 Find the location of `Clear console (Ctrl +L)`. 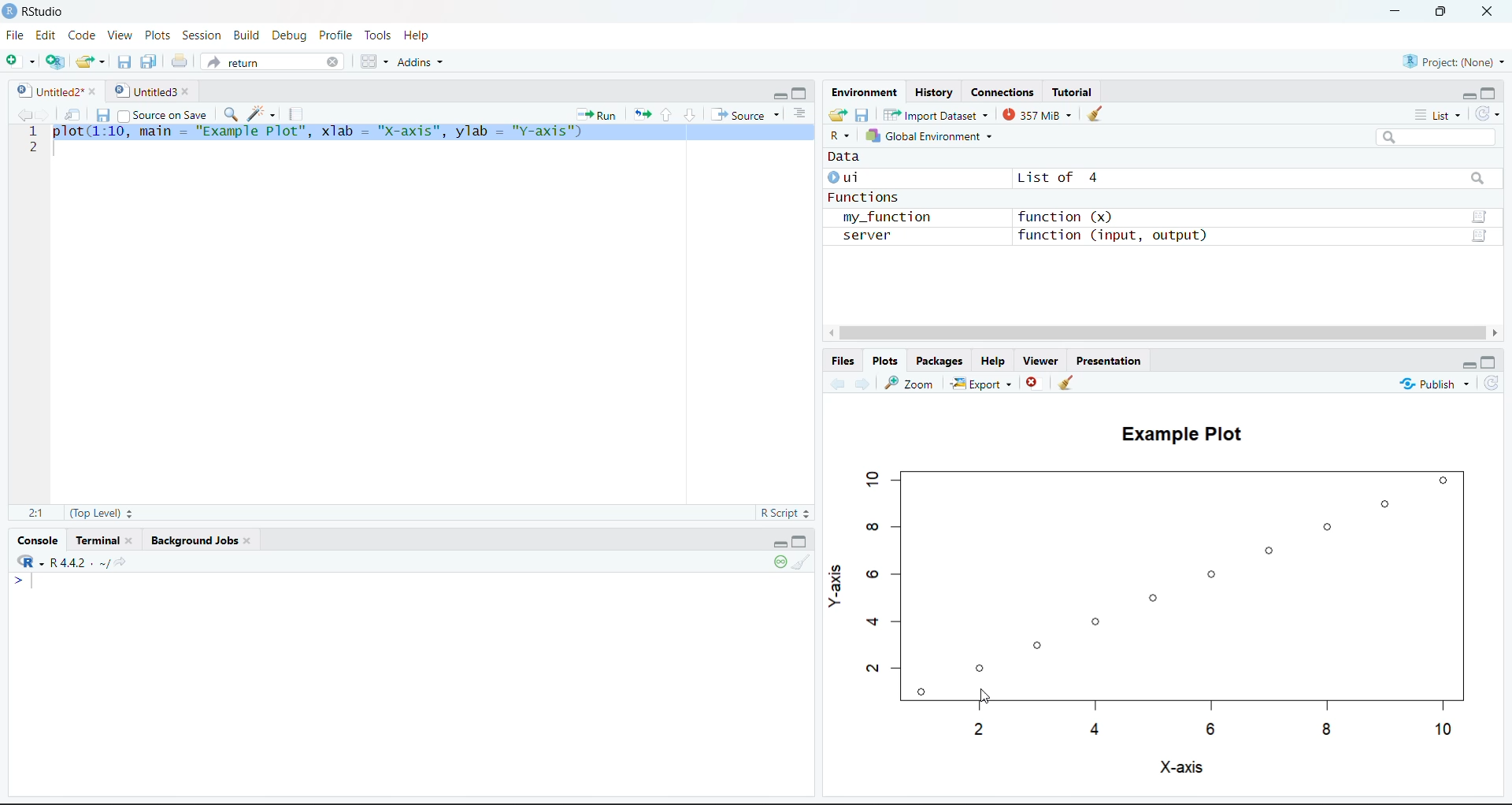

Clear console (Ctrl +L) is located at coordinates (1069, 383).